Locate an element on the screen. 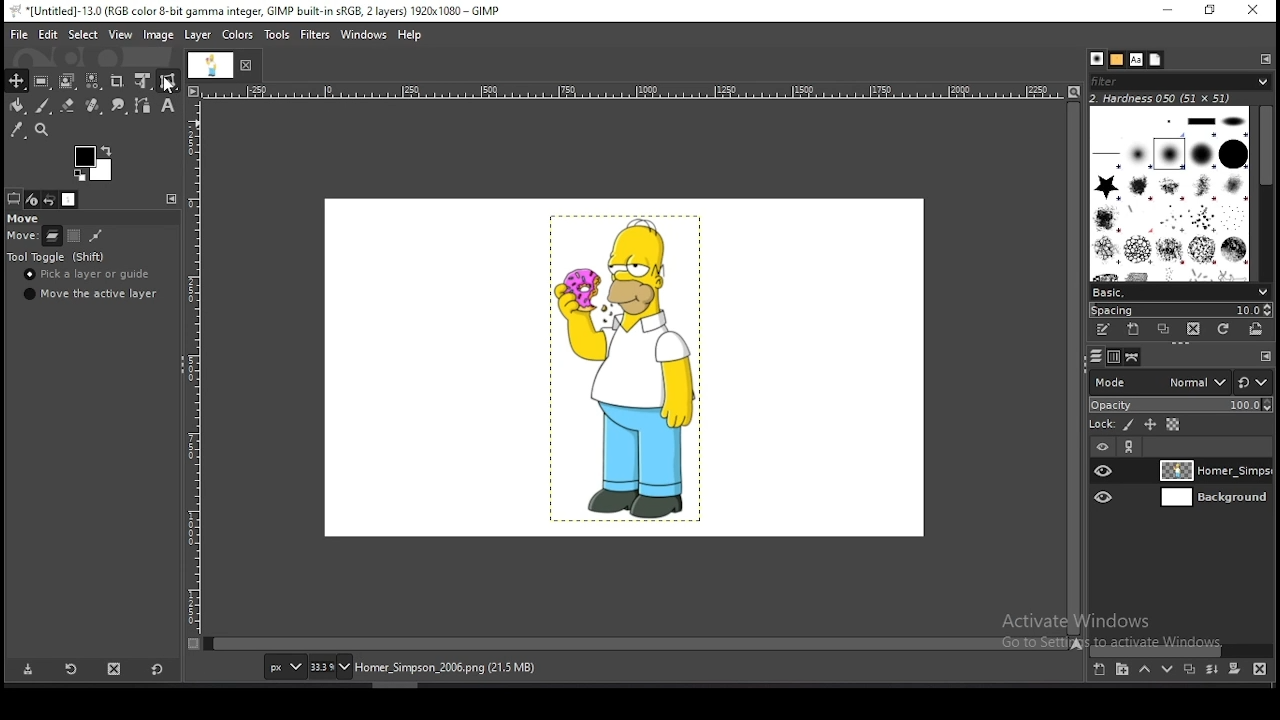  rest is located at coordinates (1253, 382).